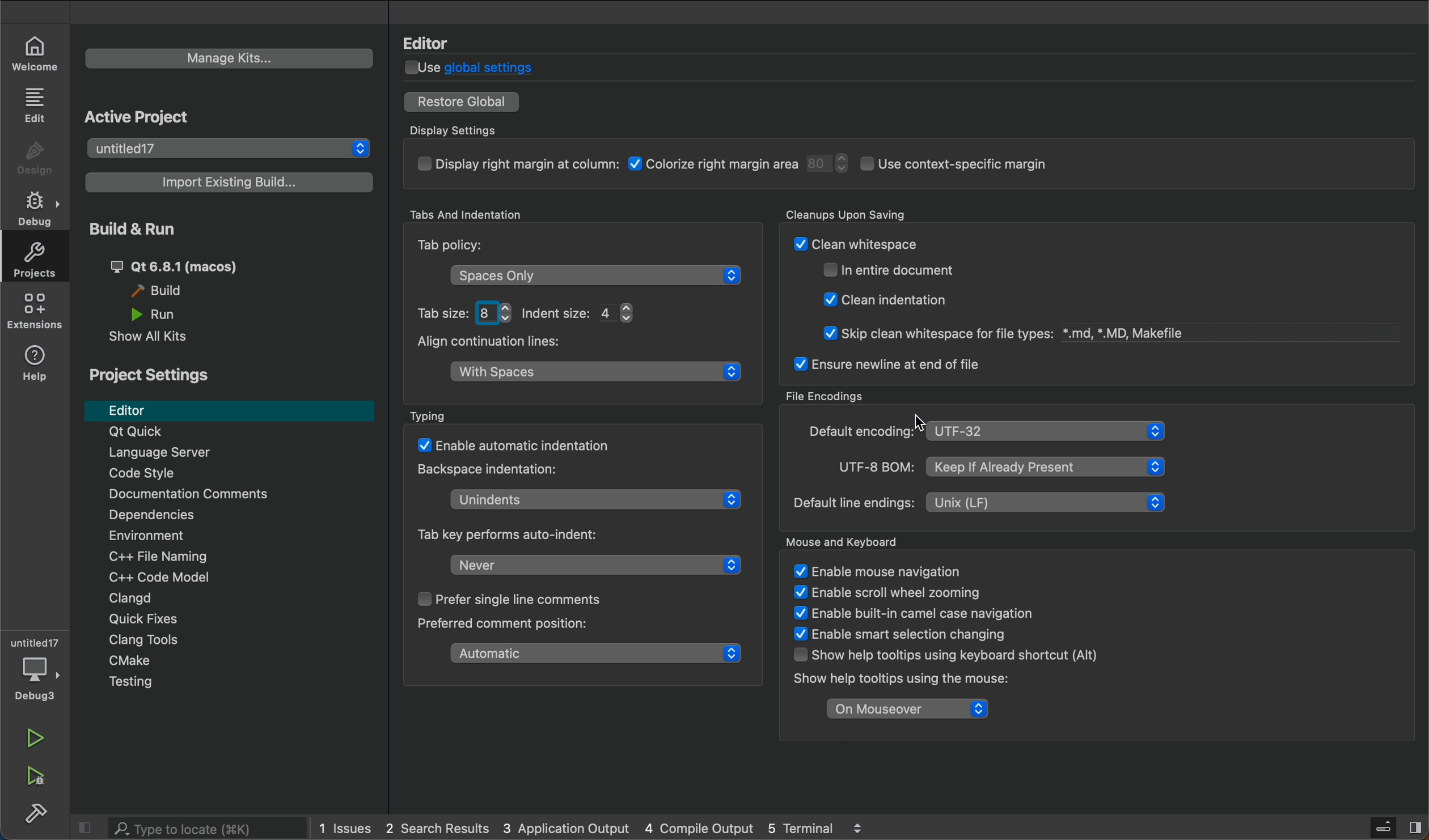  I want to click on comment position , so click(599, 653).